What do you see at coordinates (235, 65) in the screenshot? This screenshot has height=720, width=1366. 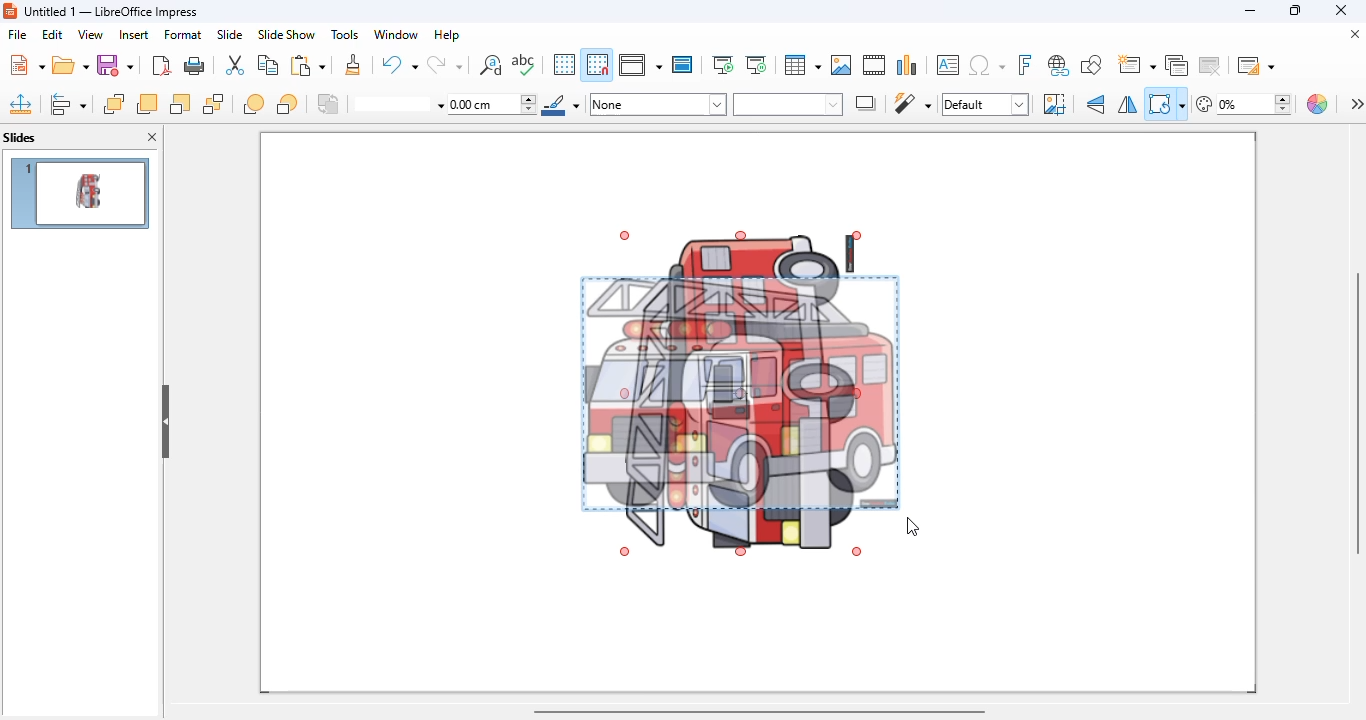 I see `cut` at bounding box center [235, 65].